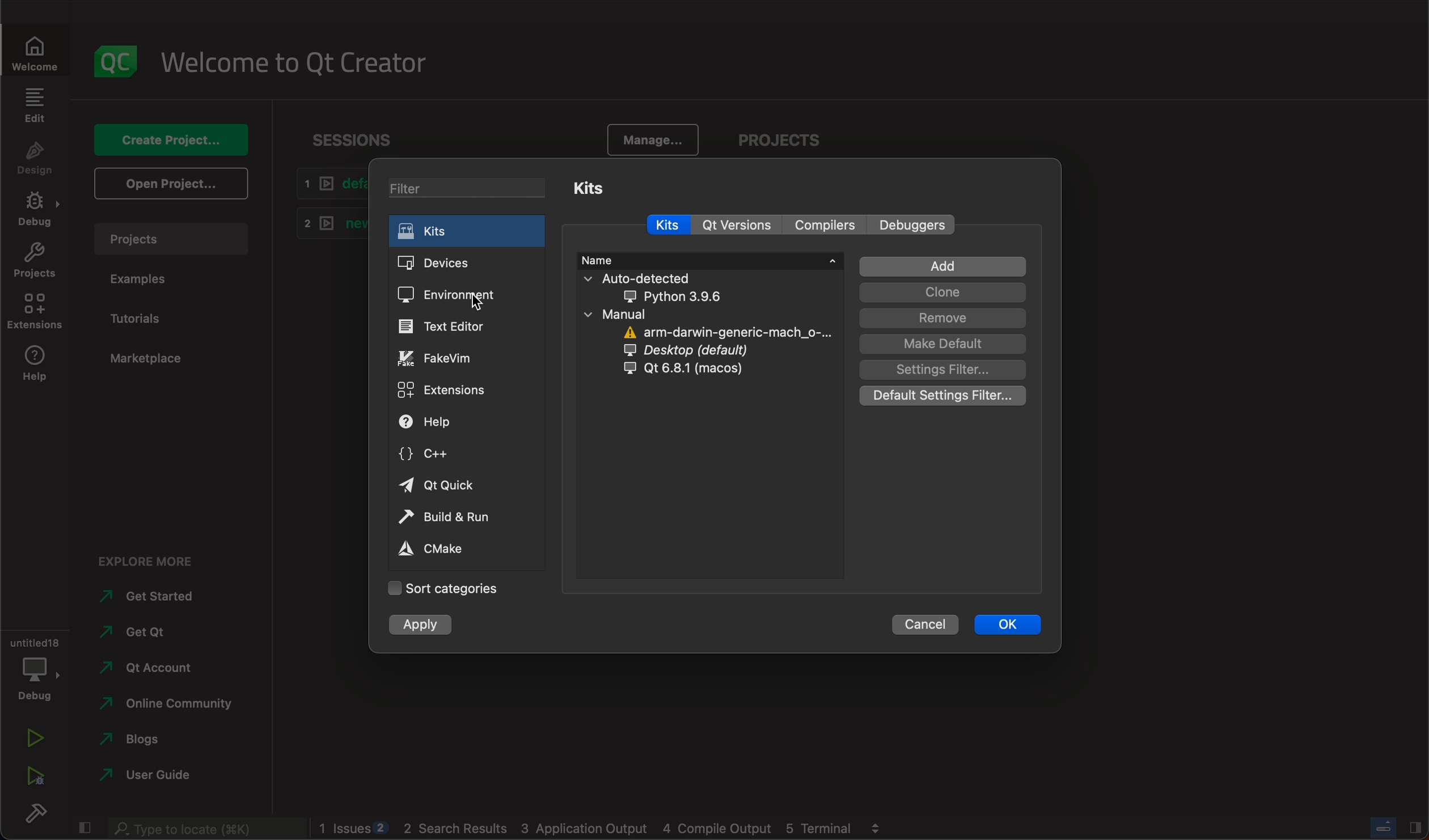 The image size is (1429, 840). I want to click on clone, so click(942, 293).